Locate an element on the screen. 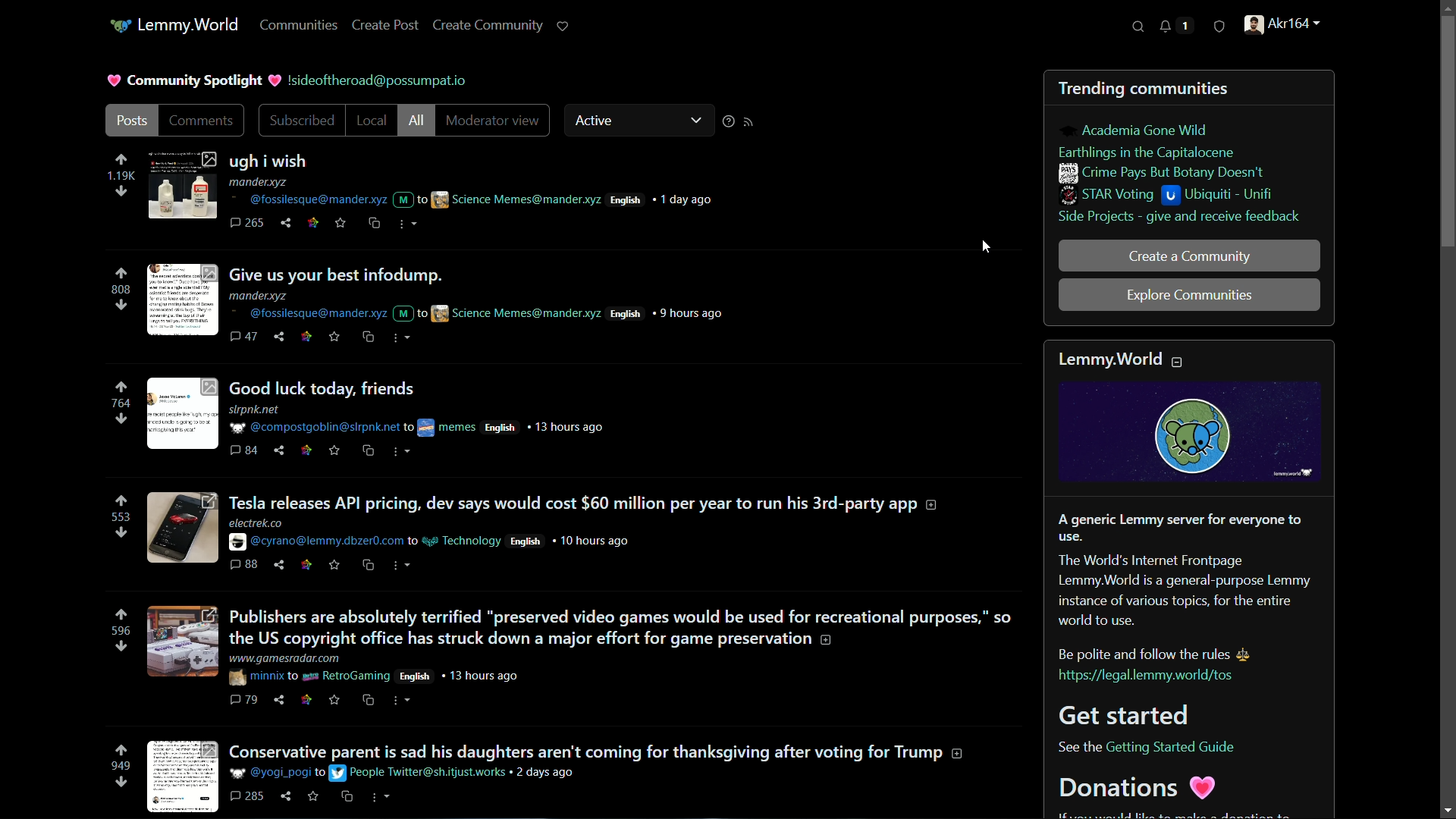 The image size is (1456, 819). cursor is located at coordinates (988, 244).